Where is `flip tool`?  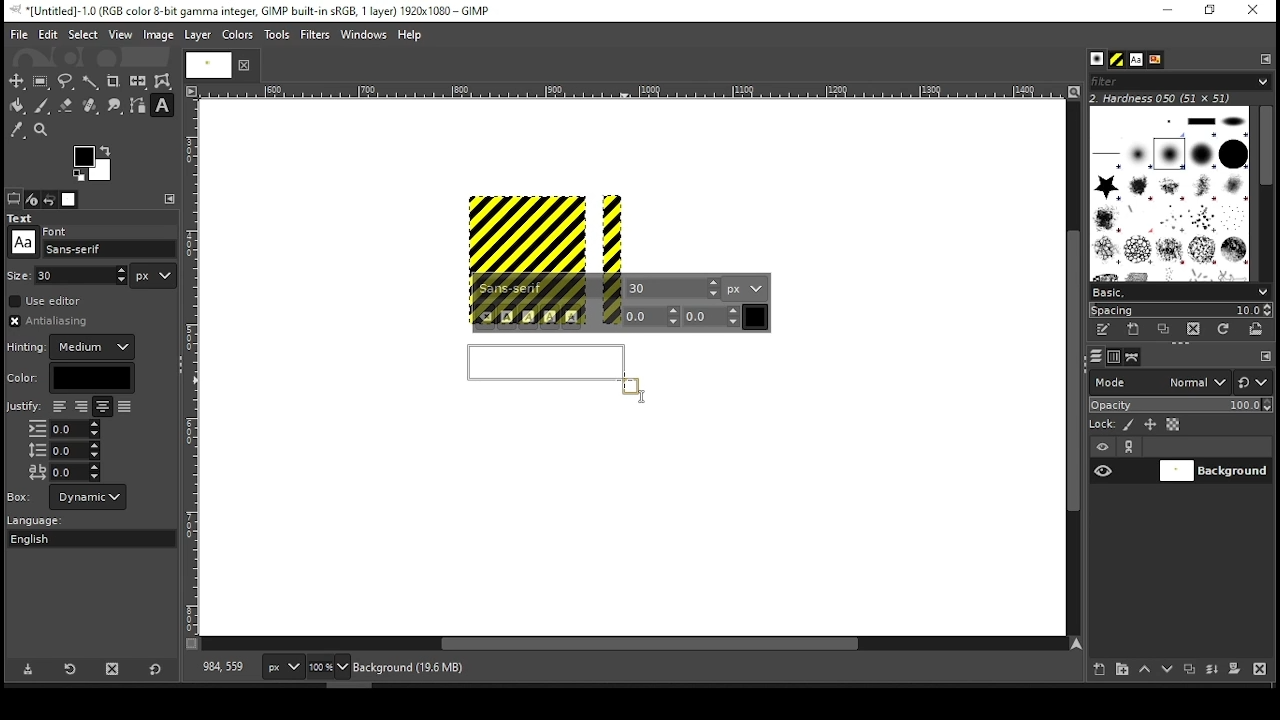
flip tool is located at coordinates (138, 80).